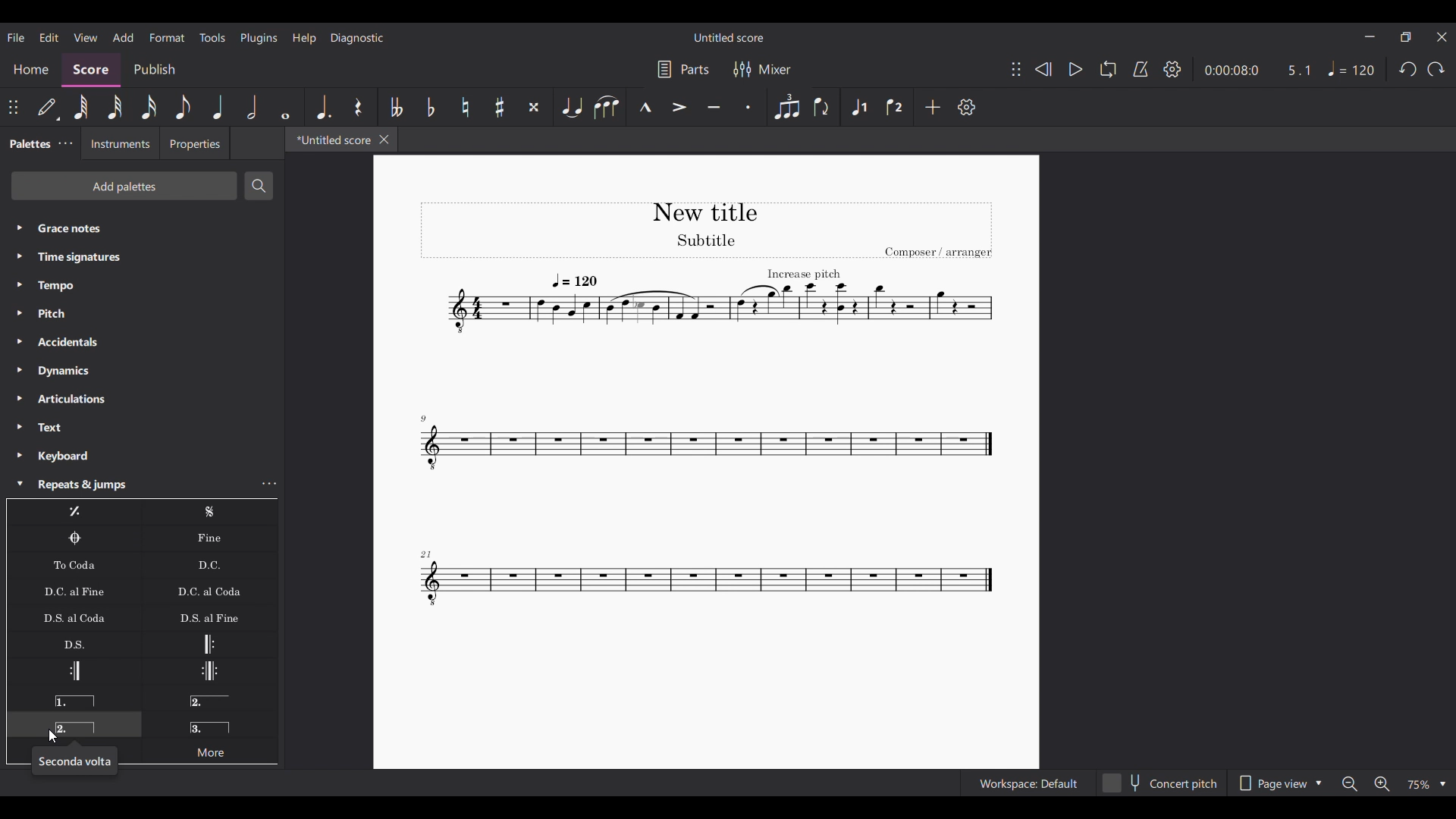 The width and height of the screenshot is (1456, 819). I want to click on Score, current section highlighted, so click(91, 70).